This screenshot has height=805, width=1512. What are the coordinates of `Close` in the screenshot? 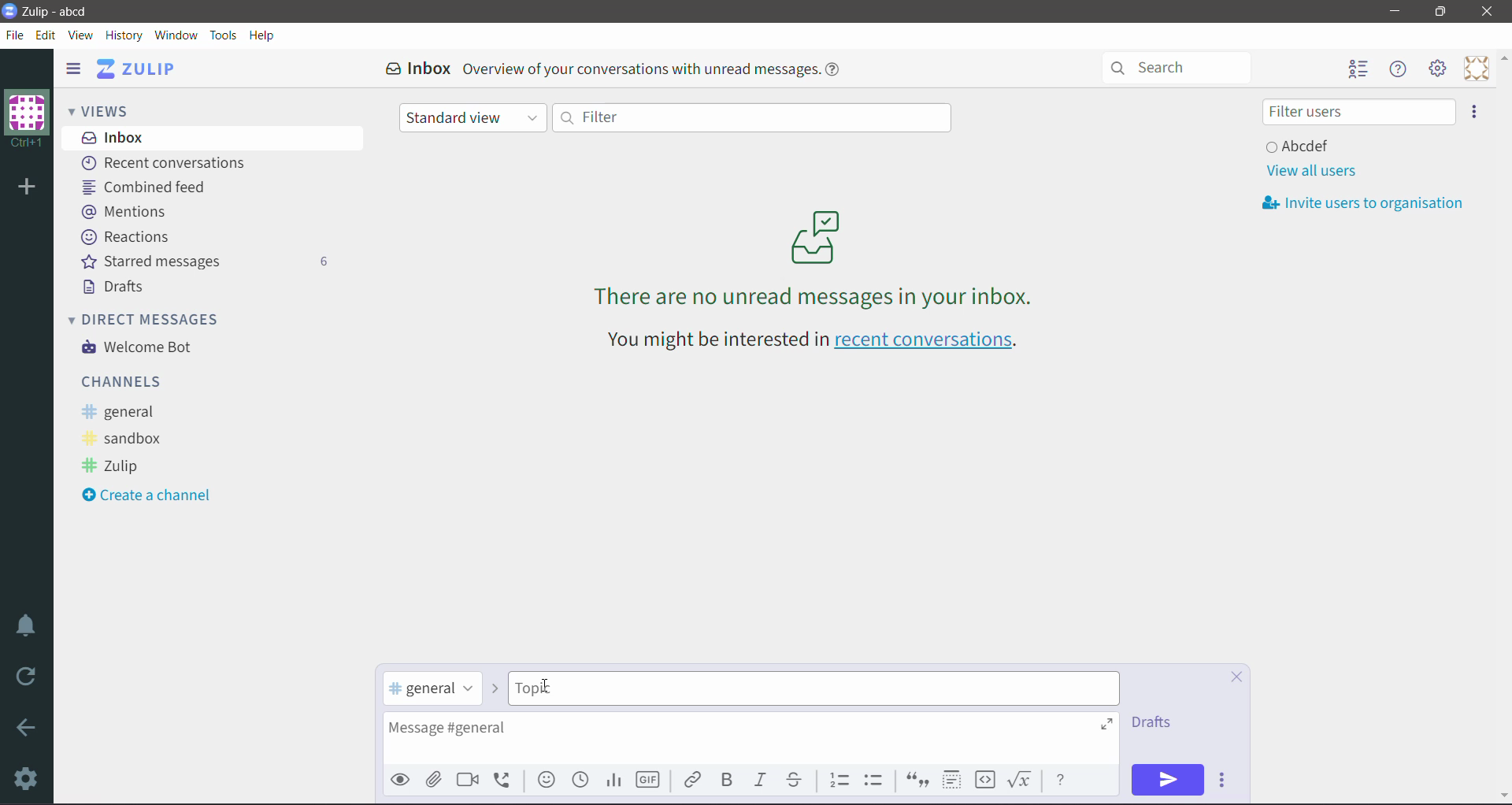 It's located at (1489, 12).